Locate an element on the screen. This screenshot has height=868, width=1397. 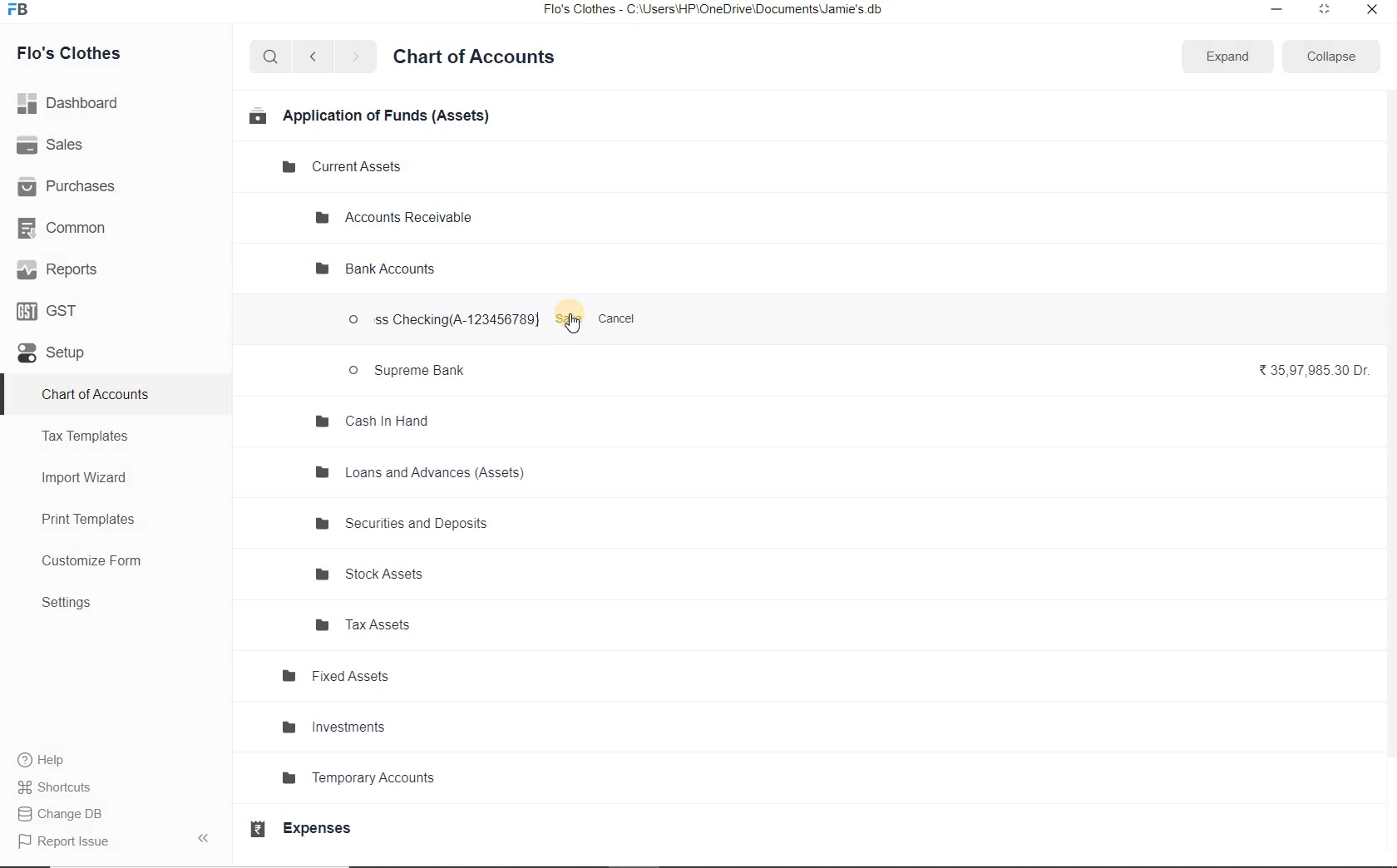
Add Account is located at coordinates (492, 269).